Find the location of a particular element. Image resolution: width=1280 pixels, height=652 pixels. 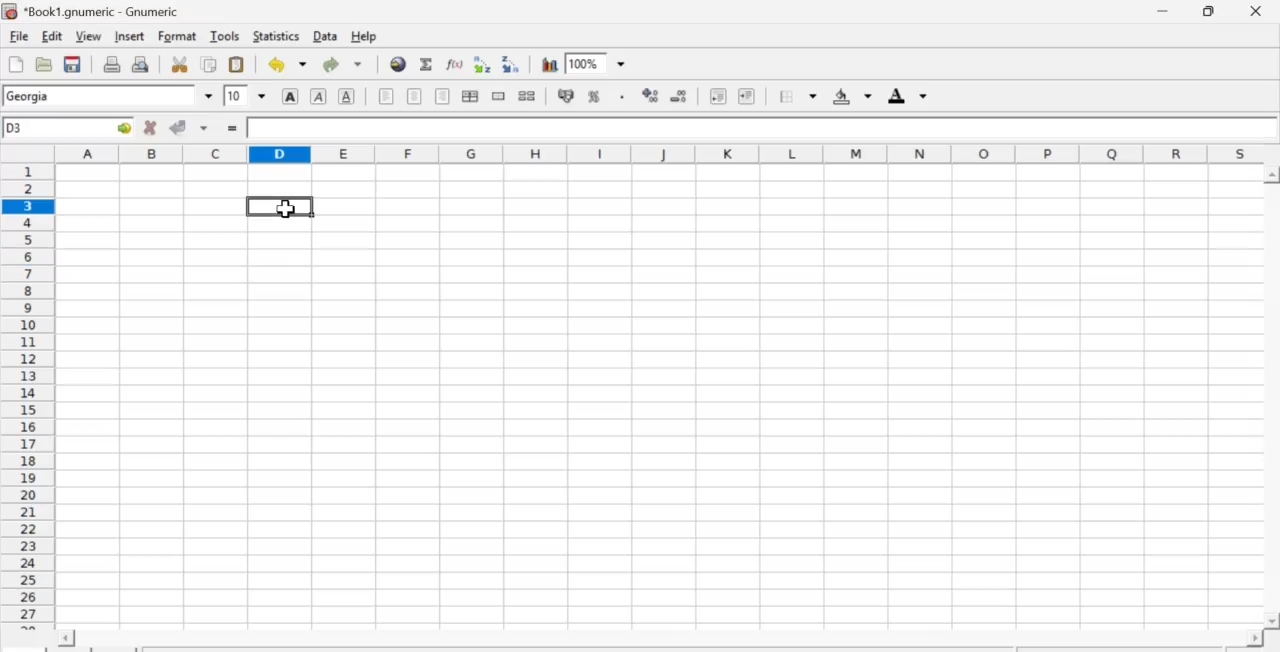

Close is located at coordinates (1257, 12).